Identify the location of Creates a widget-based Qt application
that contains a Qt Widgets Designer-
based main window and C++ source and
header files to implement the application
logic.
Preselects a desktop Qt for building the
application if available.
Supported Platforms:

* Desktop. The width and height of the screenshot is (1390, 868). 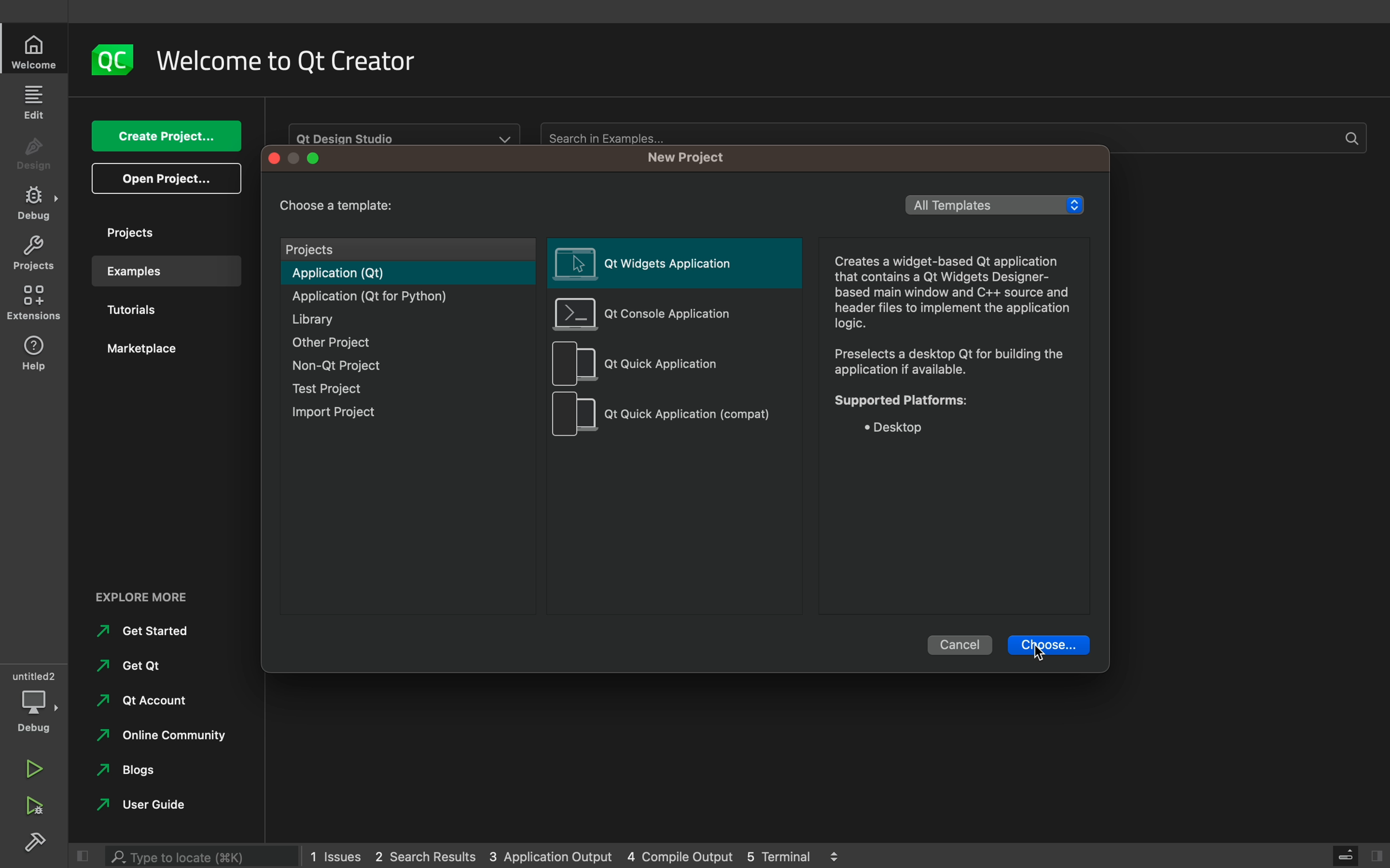
(950, 343).